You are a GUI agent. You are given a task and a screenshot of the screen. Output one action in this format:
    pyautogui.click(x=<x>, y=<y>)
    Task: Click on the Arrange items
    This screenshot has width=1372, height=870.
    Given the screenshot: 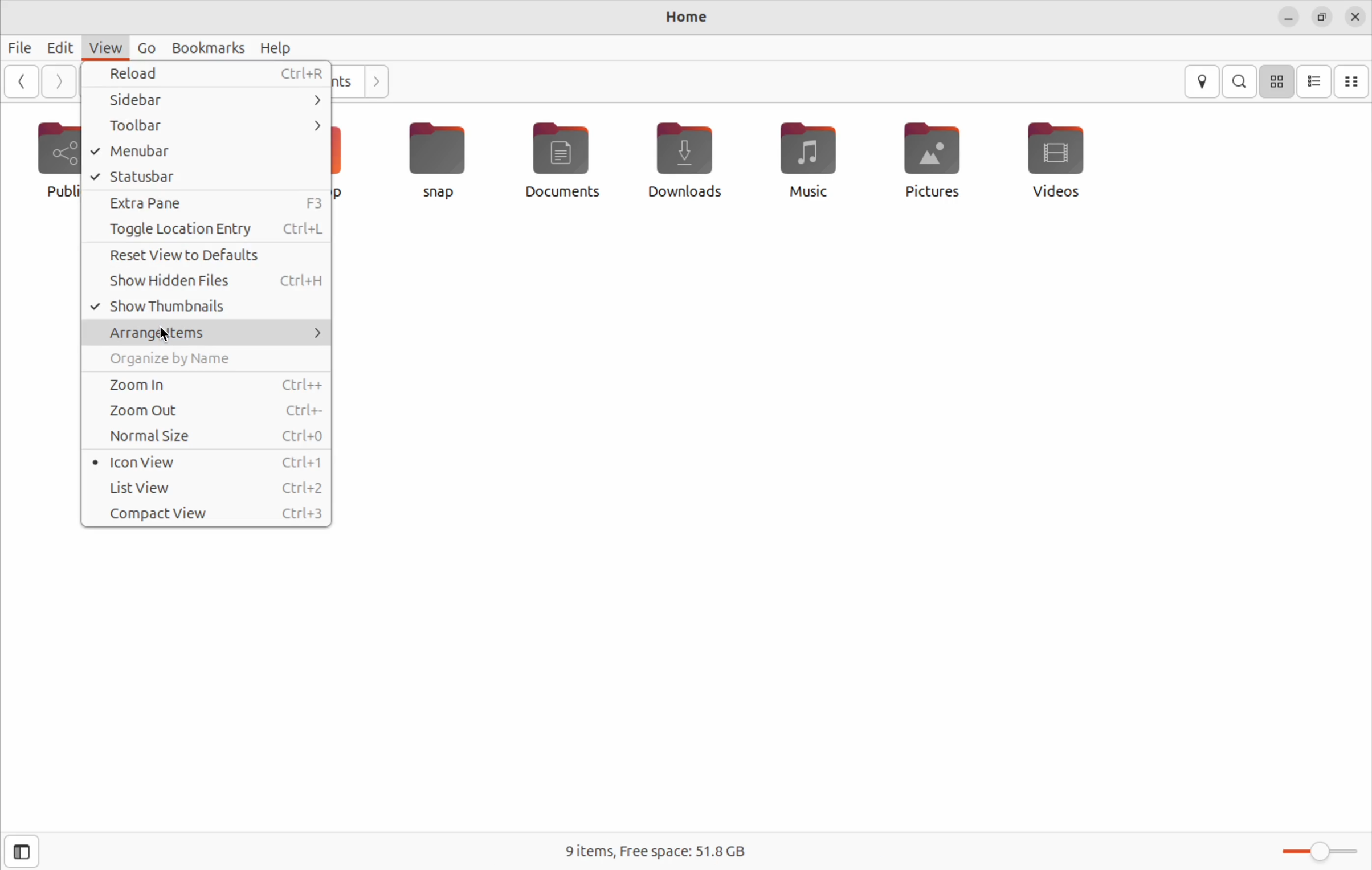 What is the action you would take?
    pyautogui.click(x=206, y=332)
    